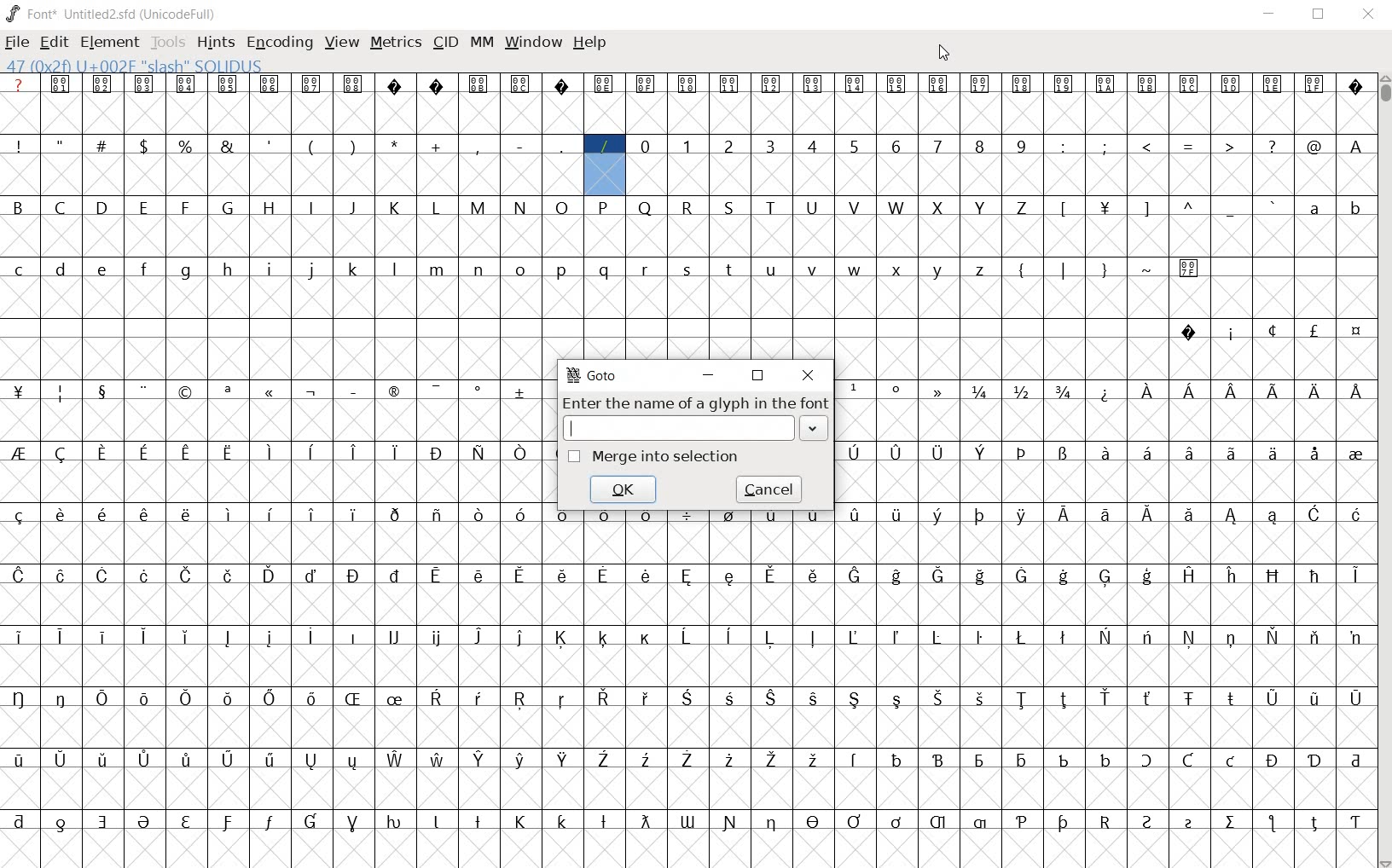  Describe the element at coordinates (478, 821) in the screenshot. I see `glyph` at that location.